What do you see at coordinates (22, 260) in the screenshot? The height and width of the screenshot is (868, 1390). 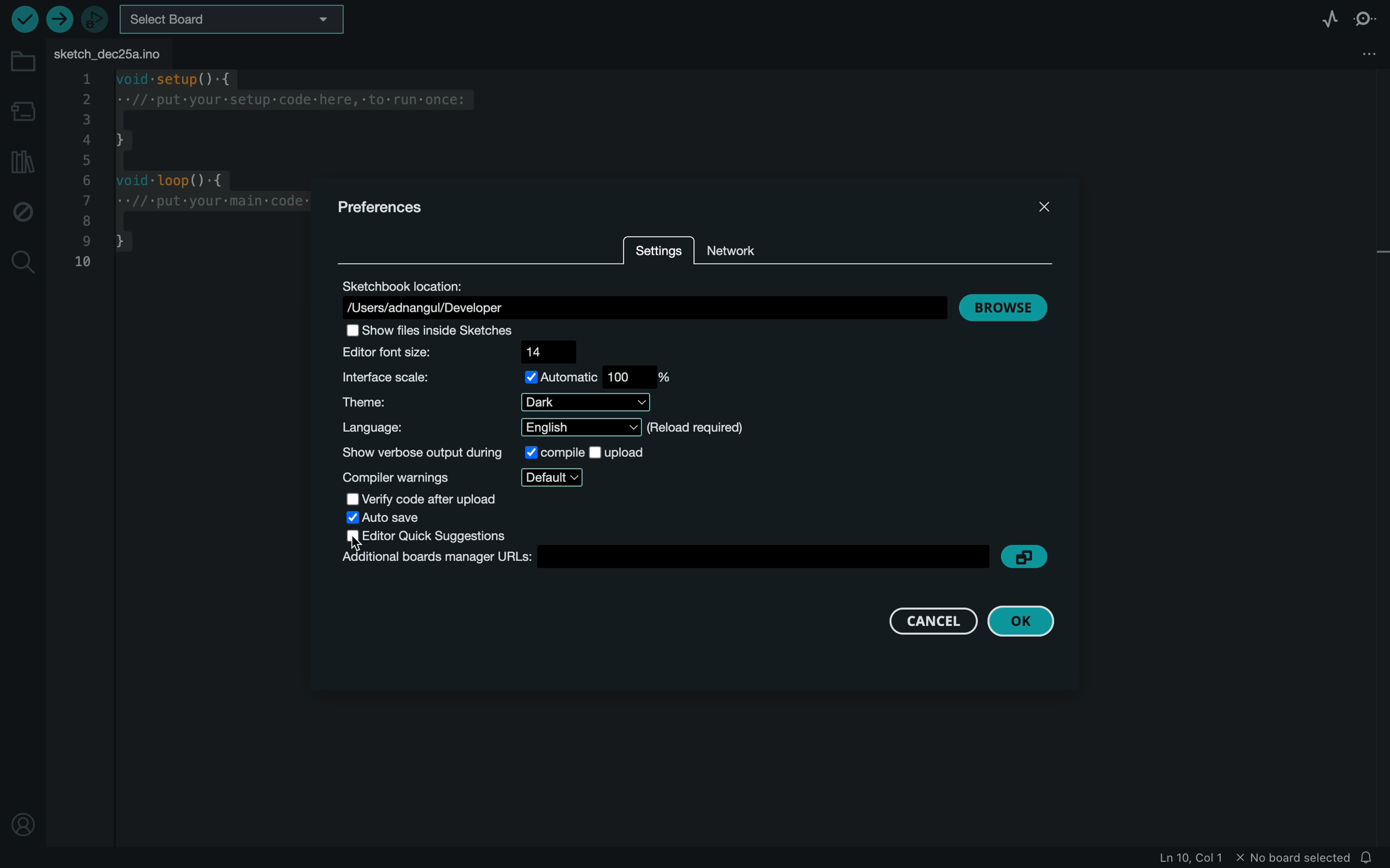 I see `search` at bounding box center [22, 260].